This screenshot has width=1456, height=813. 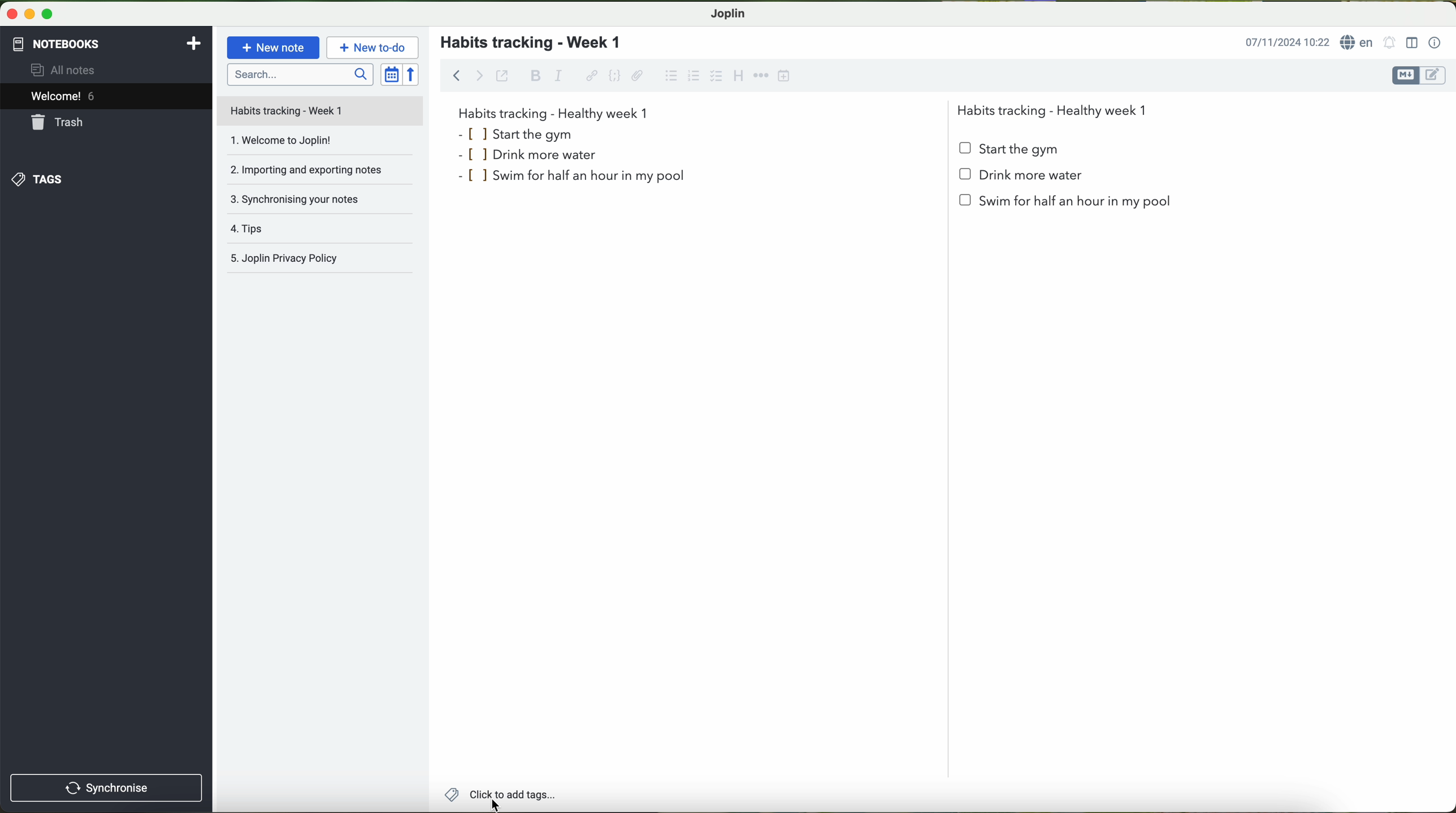 What do you see at coordinates (502, 75) in the screenshot?
I see `toggle external editing` at bounding box center [502, 75].